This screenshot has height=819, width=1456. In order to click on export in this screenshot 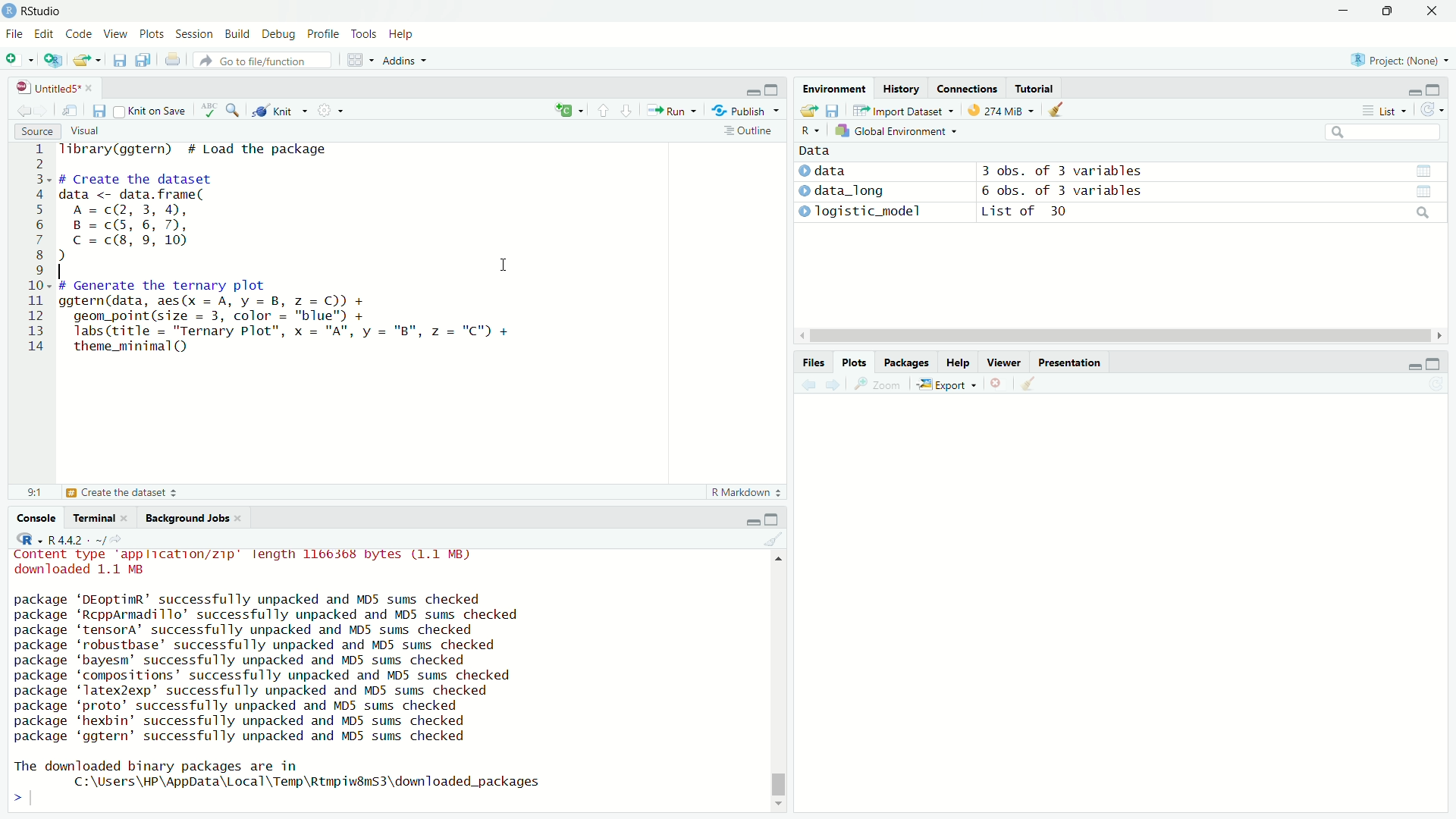, I will do `click(89, 61)`.